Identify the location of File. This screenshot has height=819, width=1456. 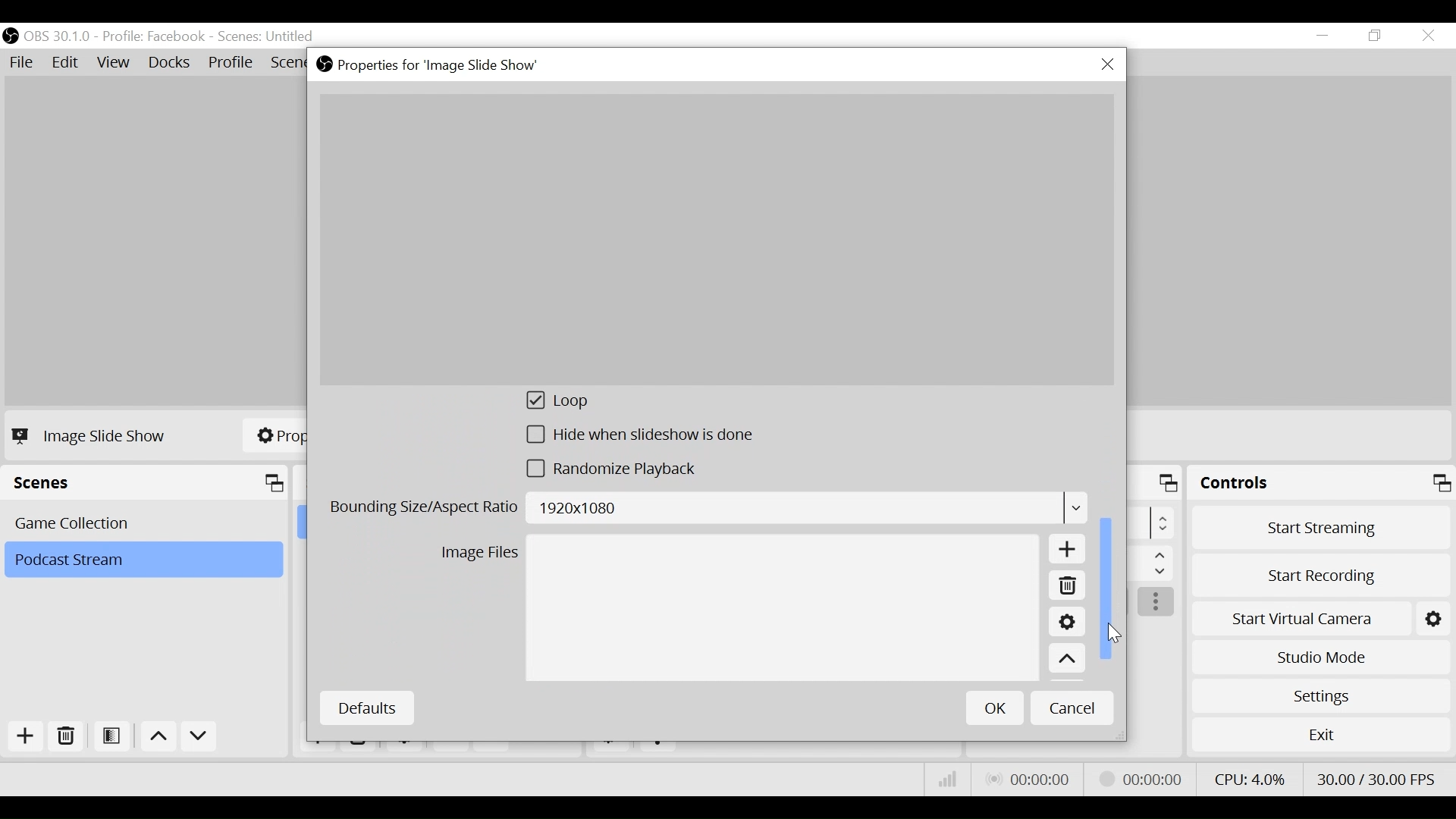
(24, 63).